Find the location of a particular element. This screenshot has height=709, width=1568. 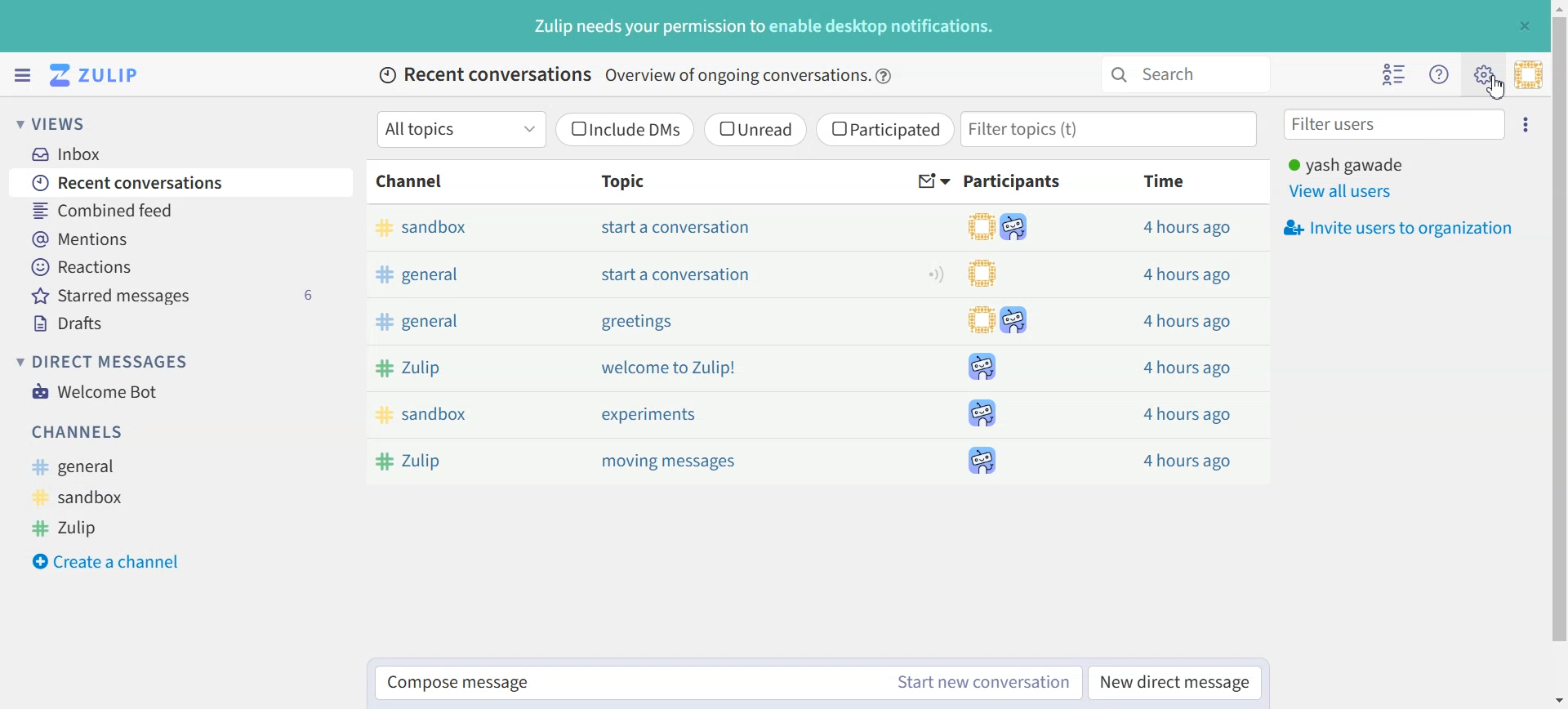

Recent conversation is located at coordinates (182, 181).